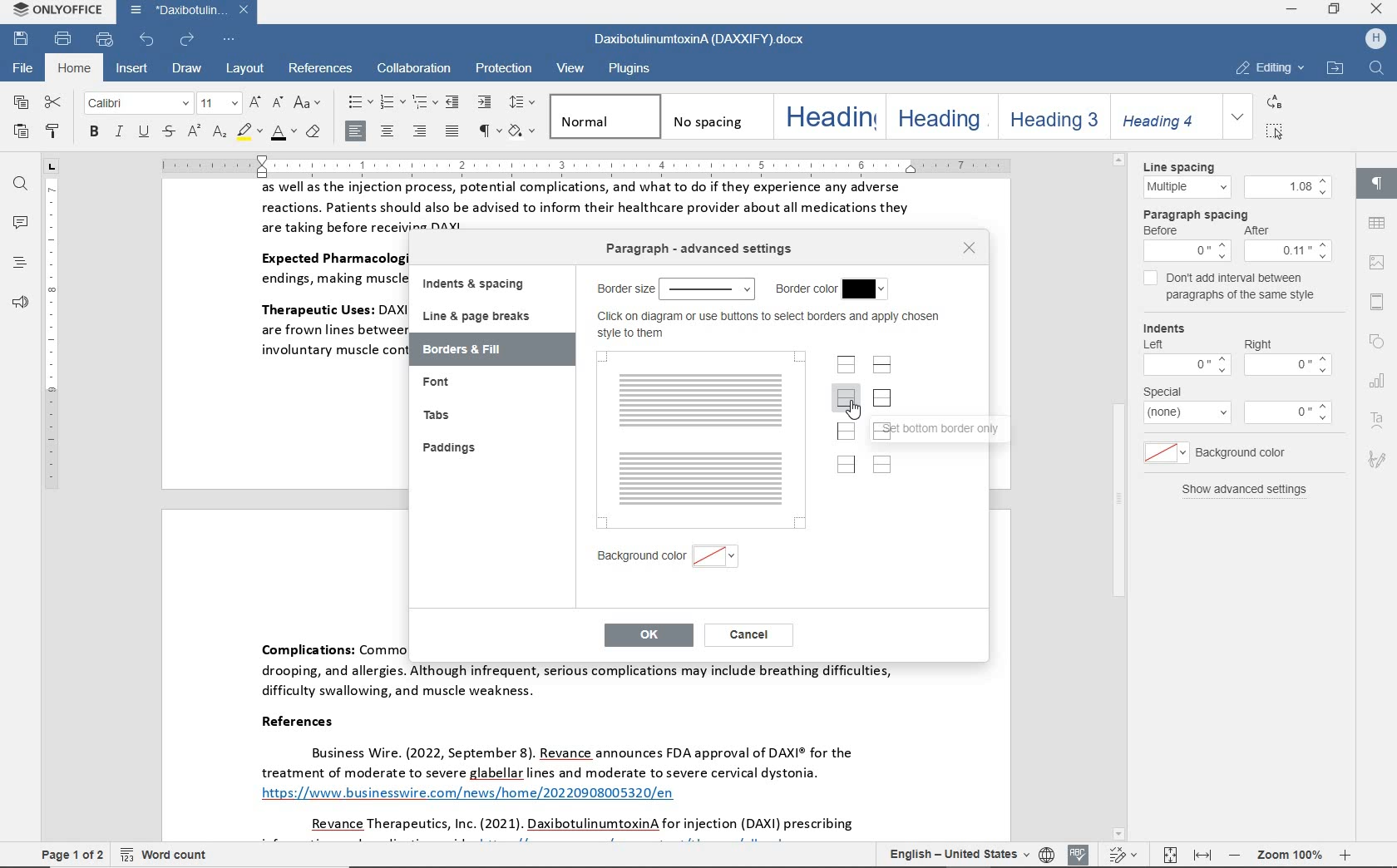 The width and height of the screenshot is (1397, 868). What do you see at coordinates (136, 104) in the screenshot?
I see `font` at bounding box center [136, 104].